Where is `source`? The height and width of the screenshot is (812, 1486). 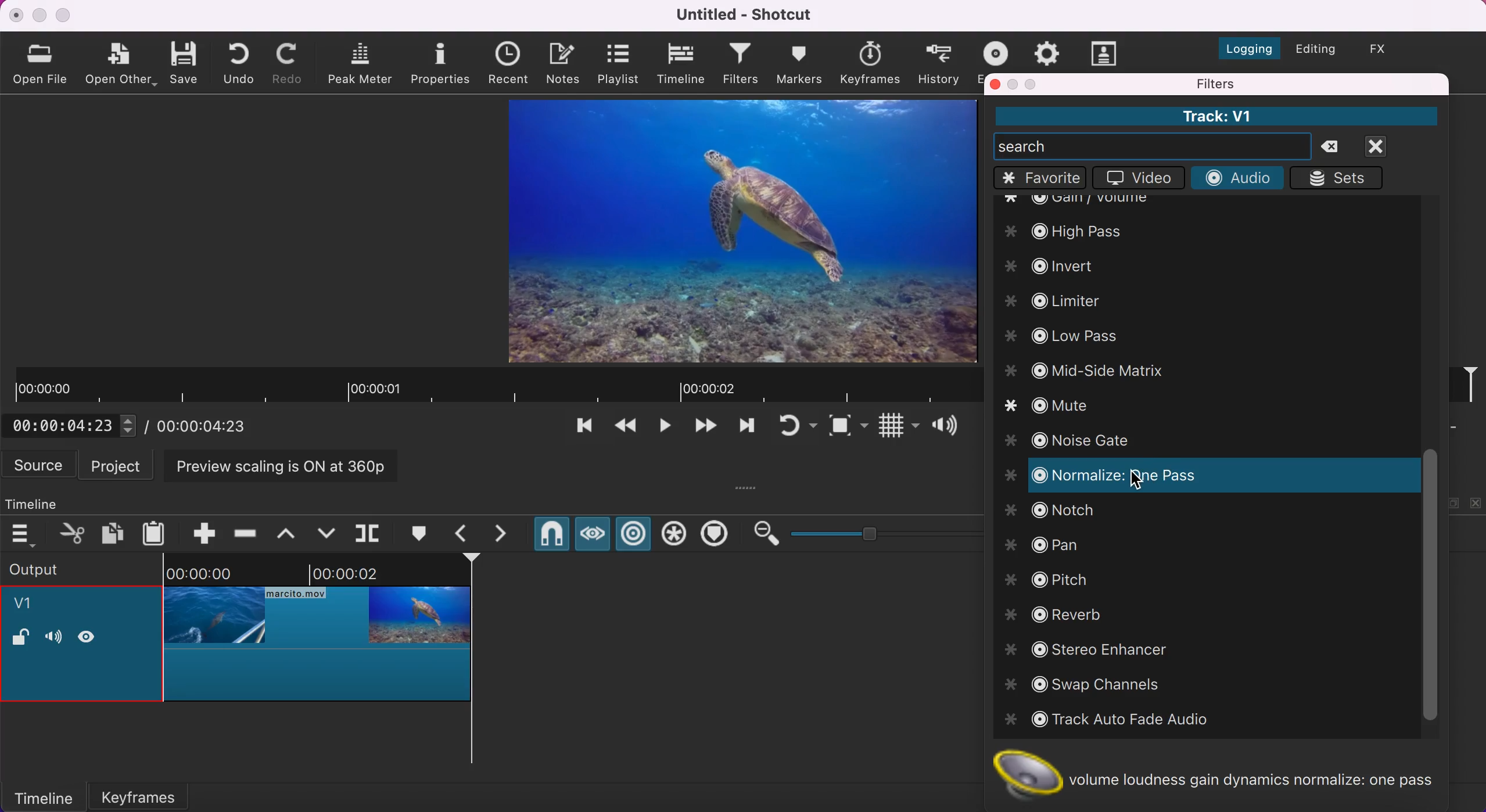
source is located at coordinates (40, 465).